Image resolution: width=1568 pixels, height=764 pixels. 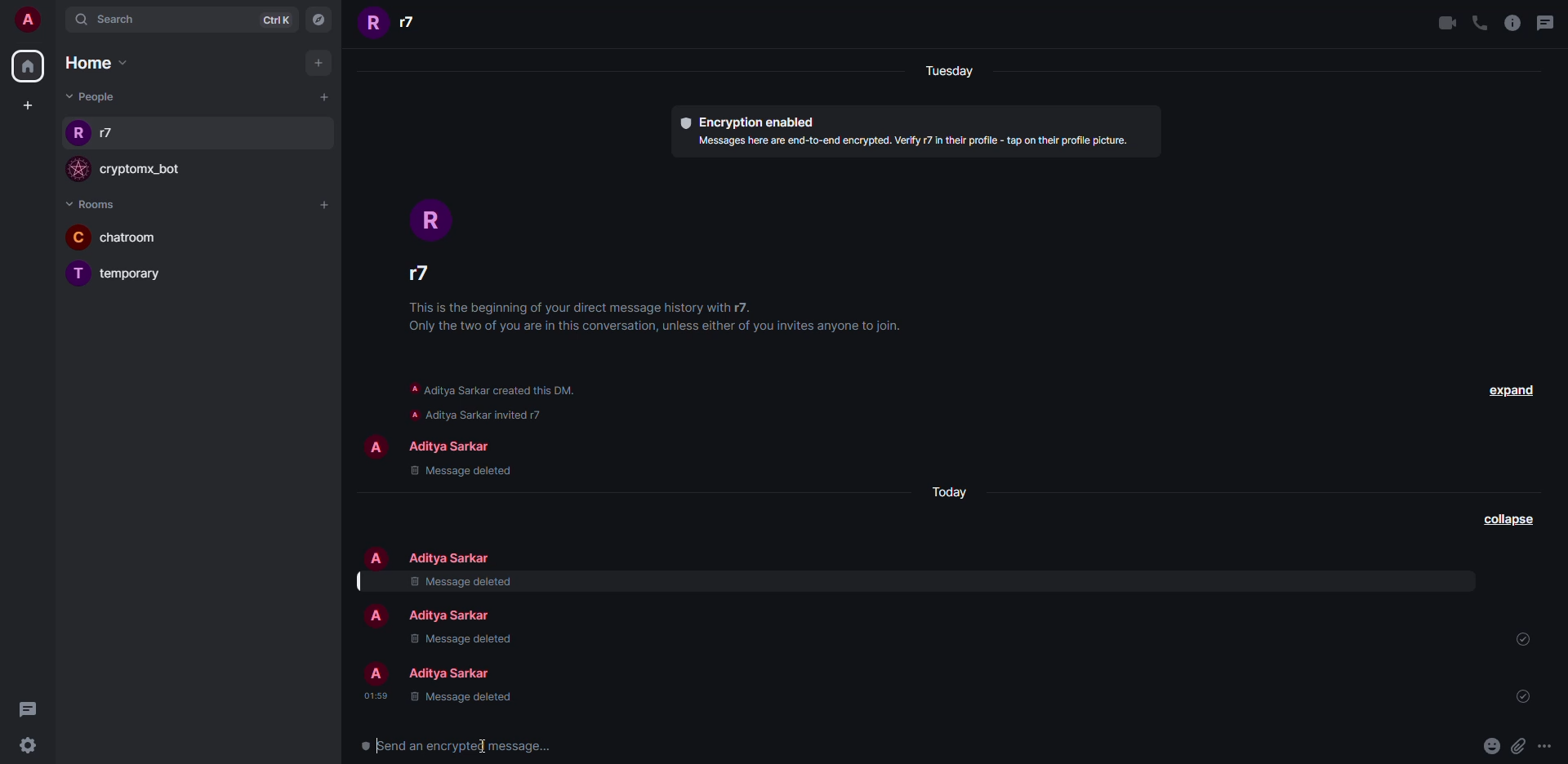 I want to click on account, so click(x=32, y=22).